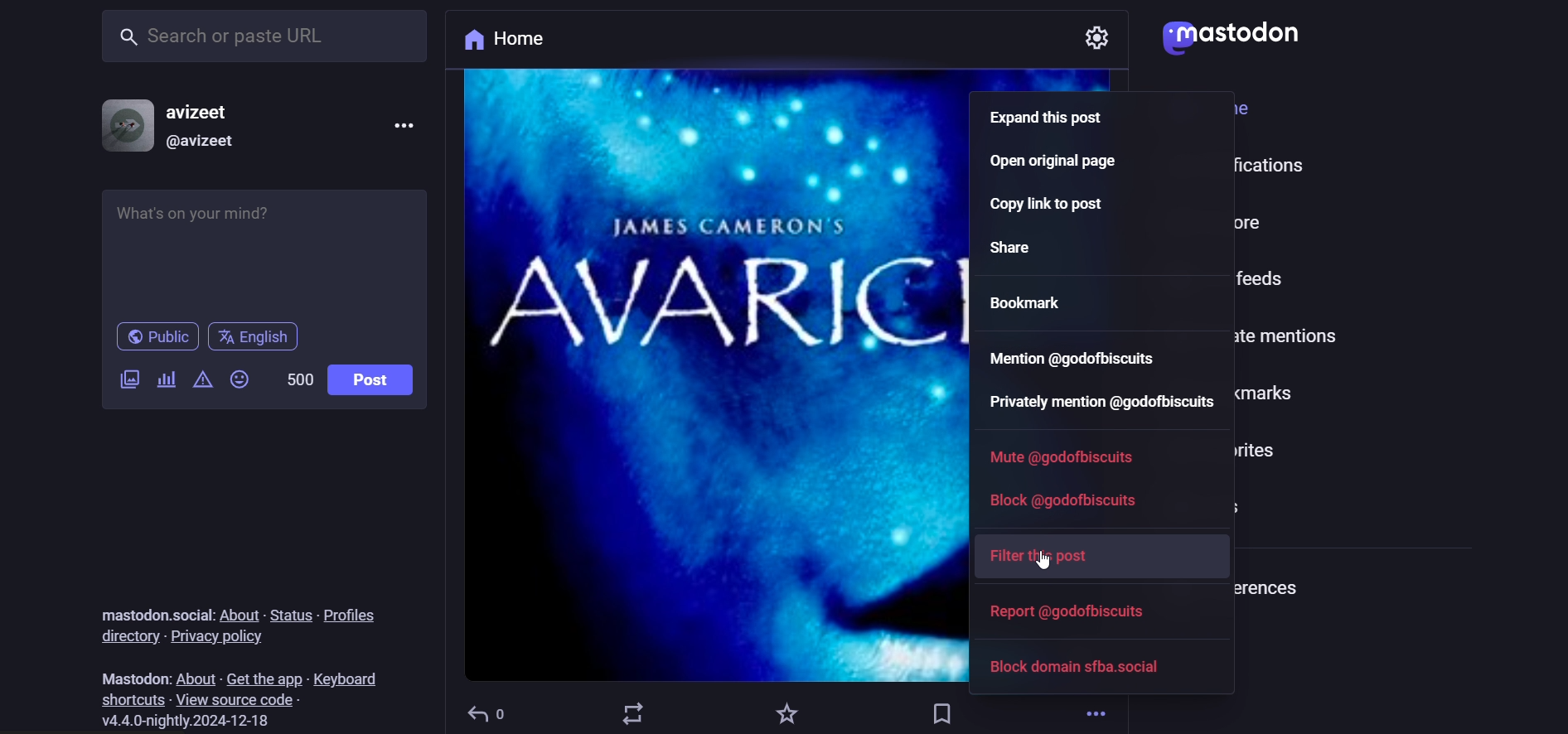 This screenshot has width=1568, height=734. What do you see at coordinates (289, 616) in the screenshot?
I see `status` at bounding box center [289, 616].